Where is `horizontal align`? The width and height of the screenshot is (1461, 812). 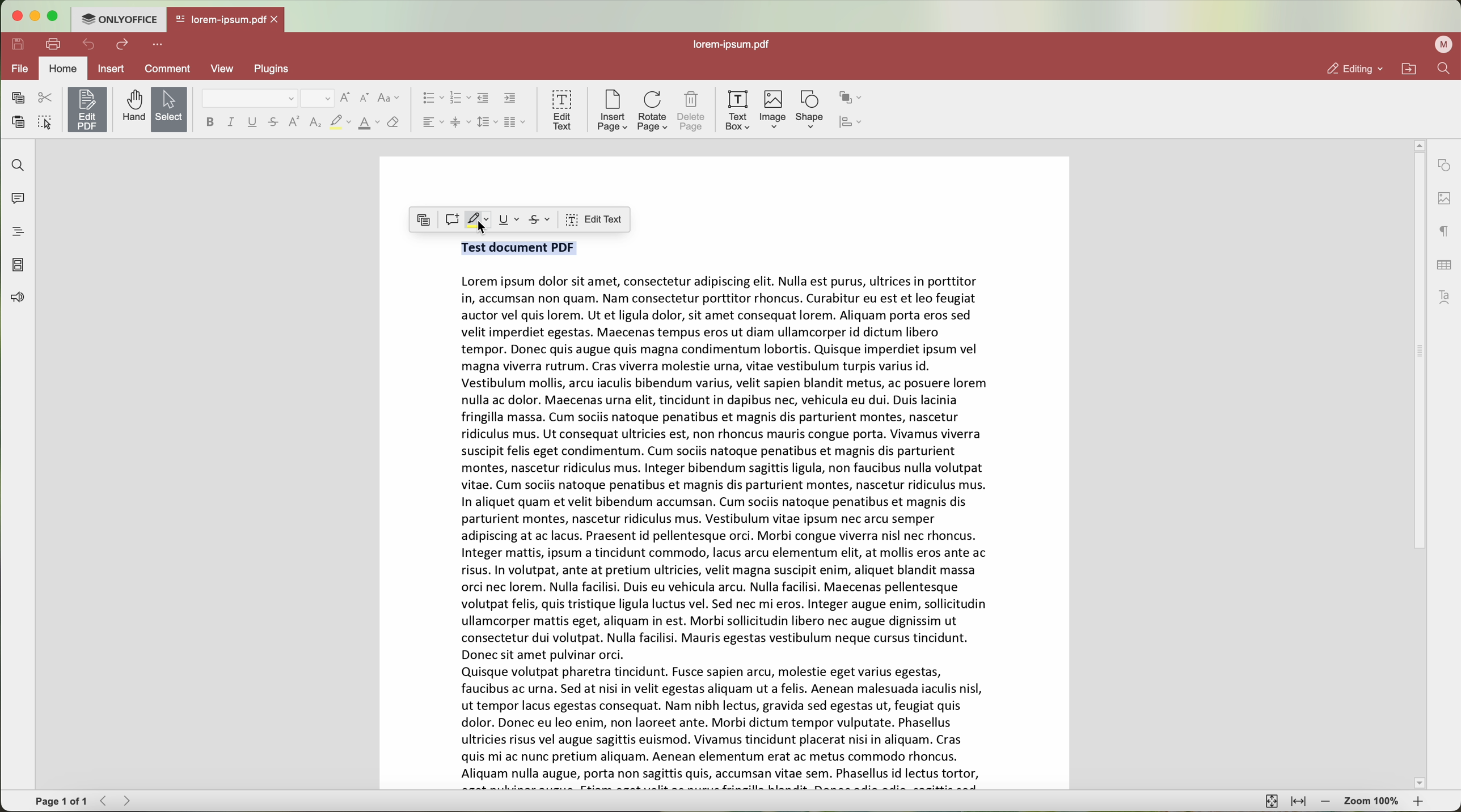 horizontal align is located at coordinates (432, 122).